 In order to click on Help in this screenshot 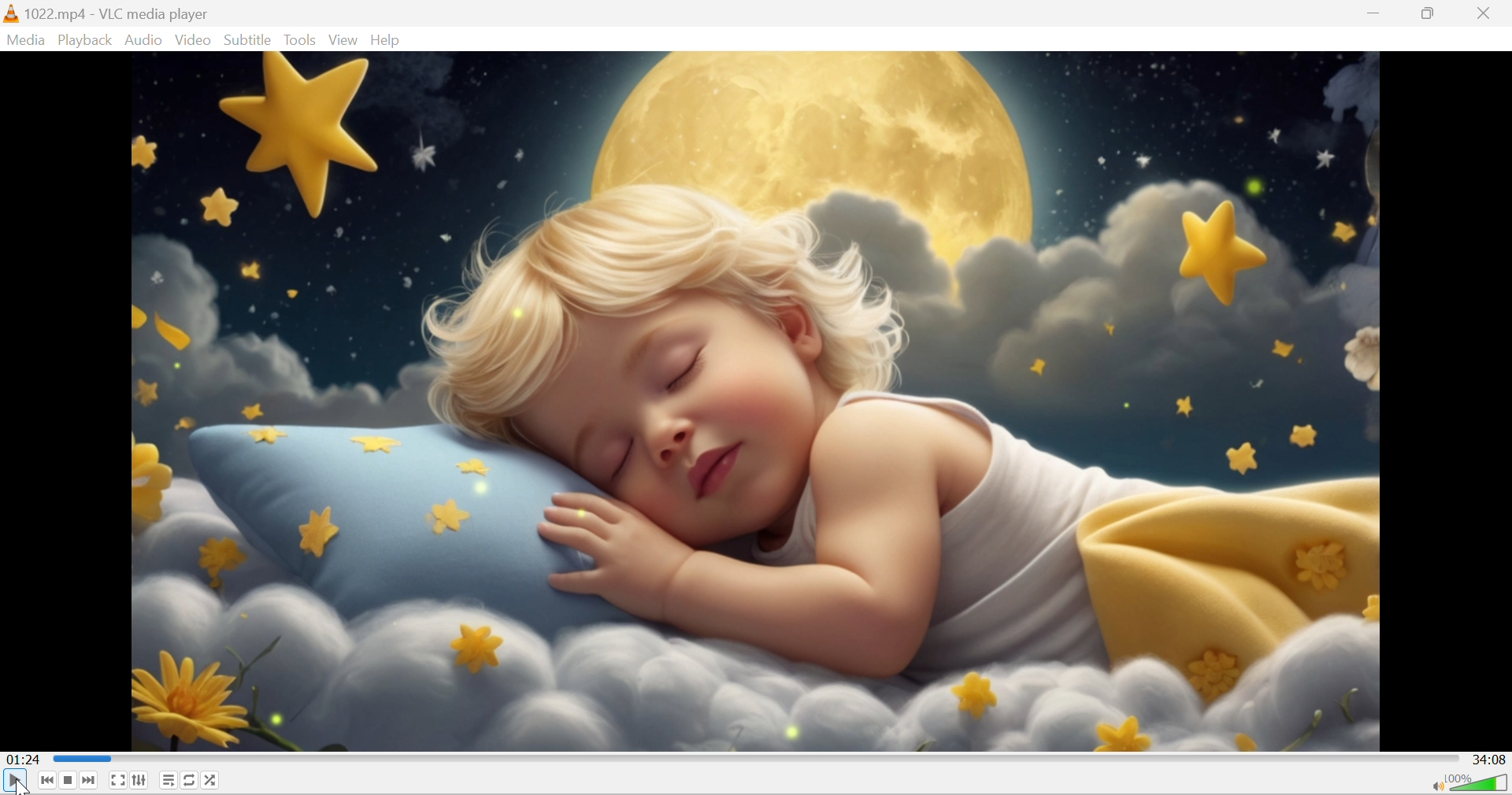, I will do `click(387, 40)`.